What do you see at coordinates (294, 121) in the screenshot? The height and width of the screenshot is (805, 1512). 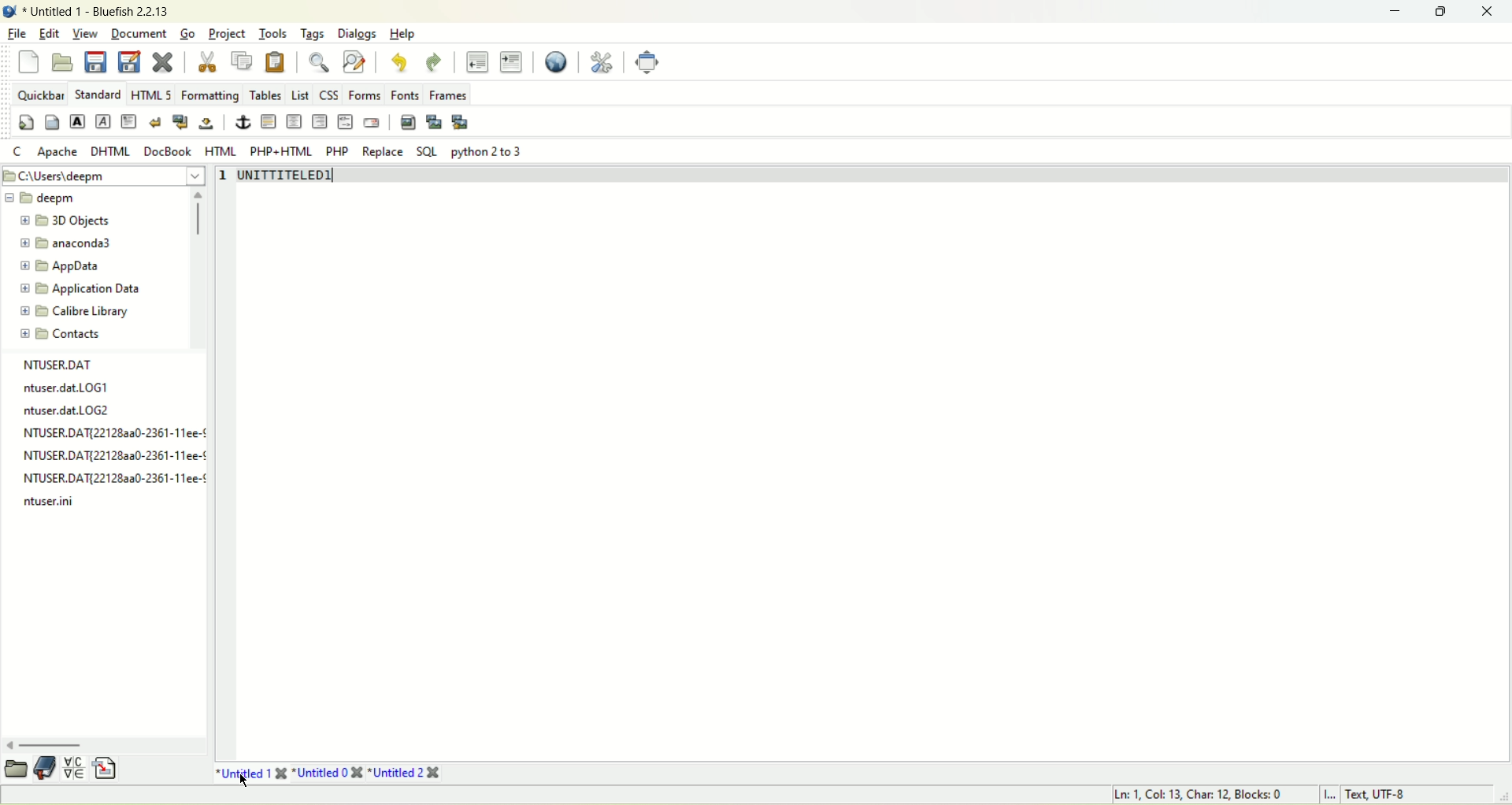 I see `center` at bounding box center [294, 121].